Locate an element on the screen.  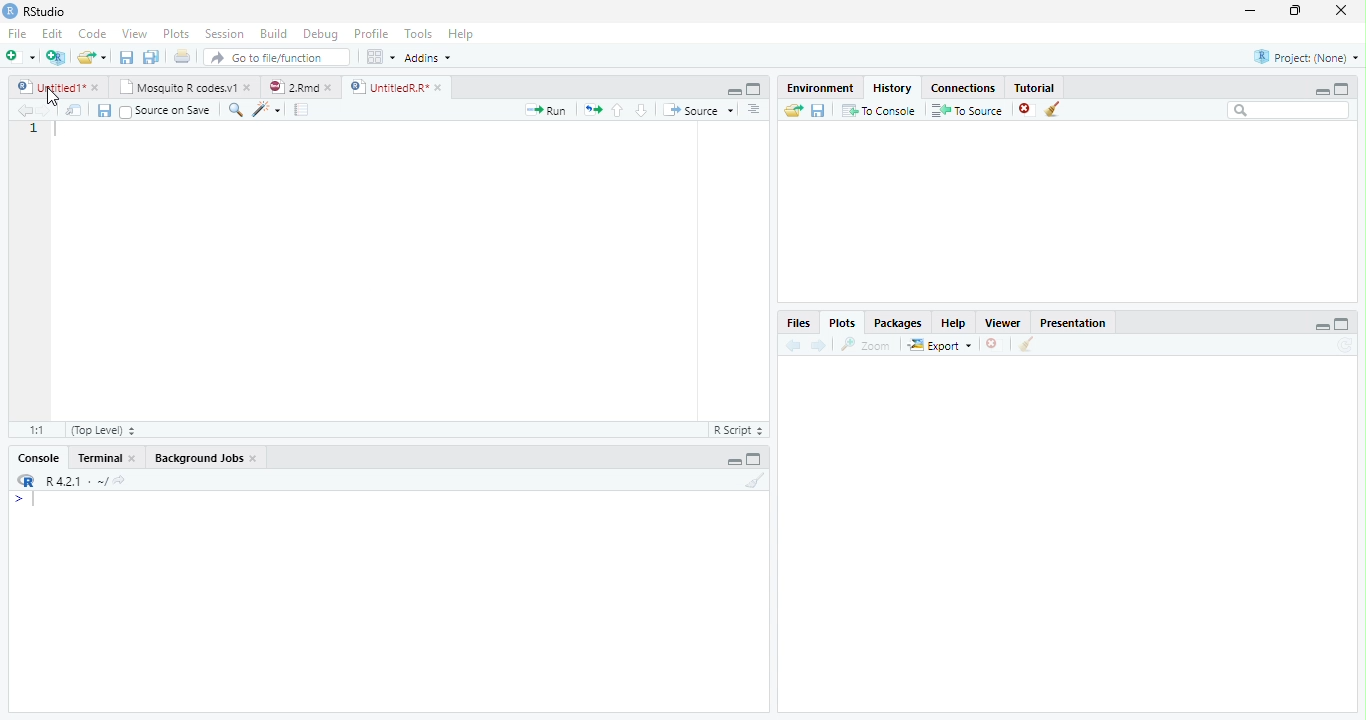
Plots is located at coordinates (175, 33).